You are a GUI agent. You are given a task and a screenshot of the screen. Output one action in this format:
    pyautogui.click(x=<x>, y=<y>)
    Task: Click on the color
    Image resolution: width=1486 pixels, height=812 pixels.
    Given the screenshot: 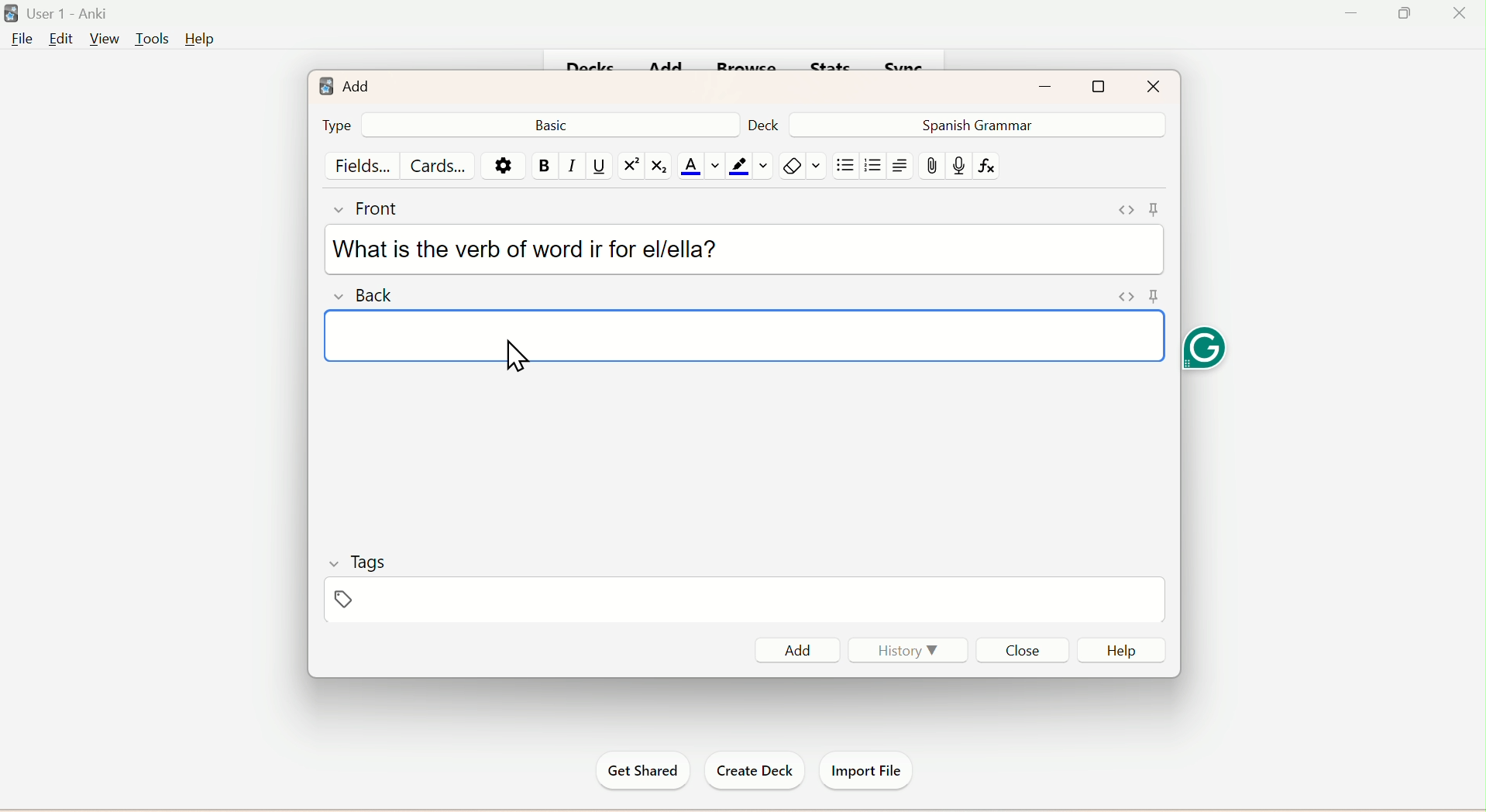 What is the action you would take?
    pyautogui.click(x=747, y=166)
    